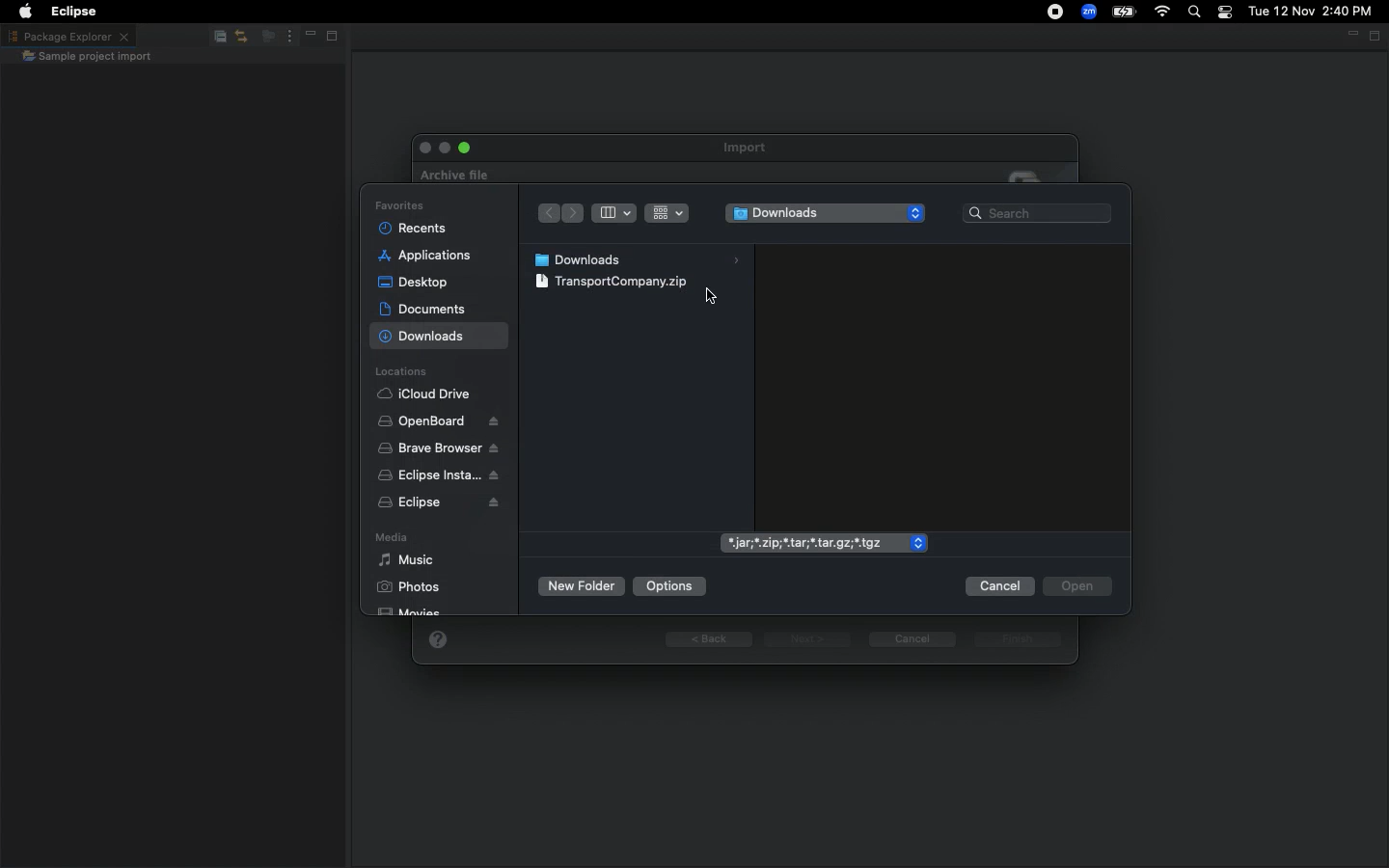 The image size is (1389, 868). Describe the element at coordinates (706, 293) in the screenshot. I see `cursor` at that location.